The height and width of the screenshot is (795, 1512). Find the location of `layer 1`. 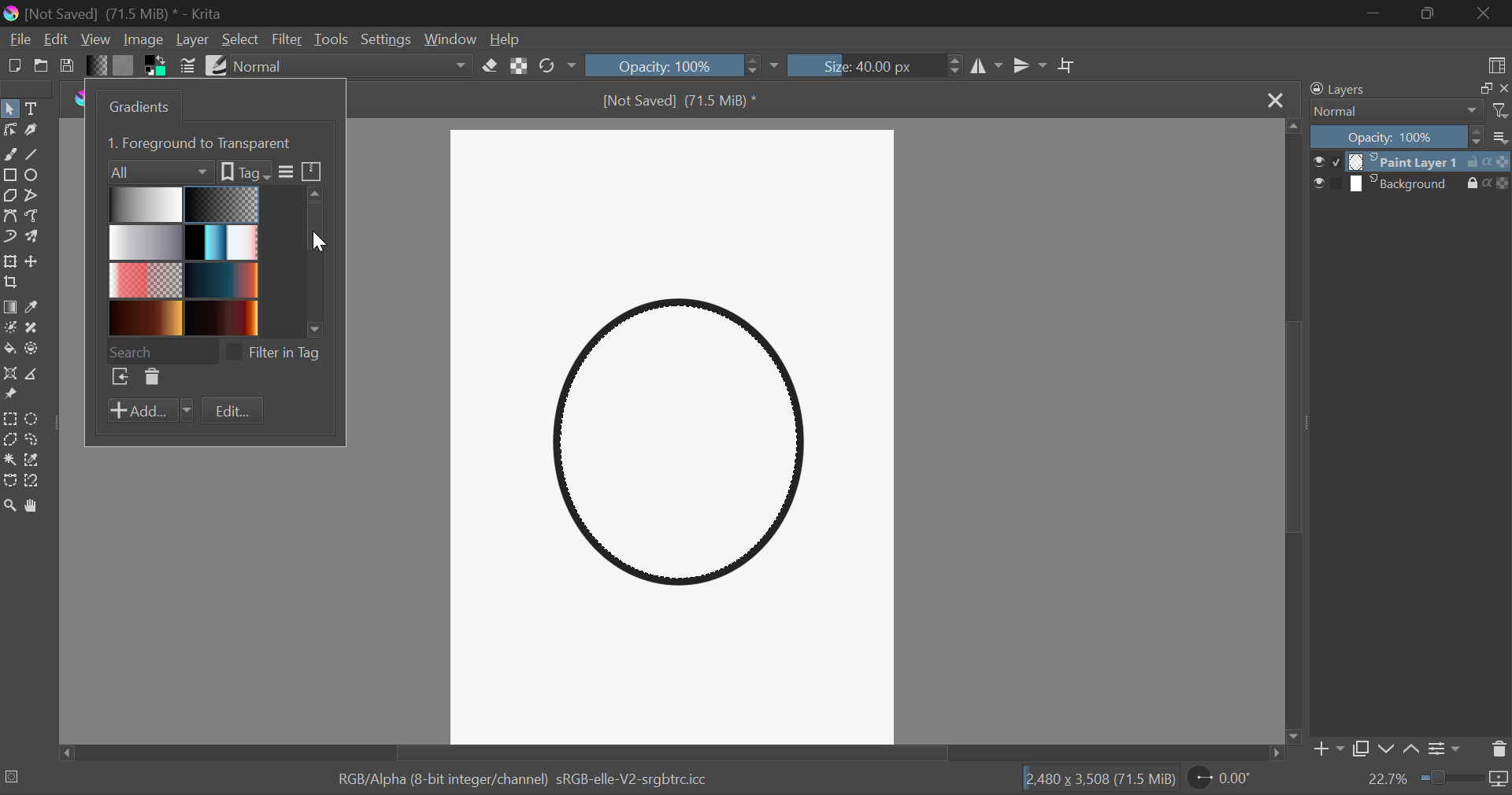

layer 1 is located at coordinates (1405, 162).